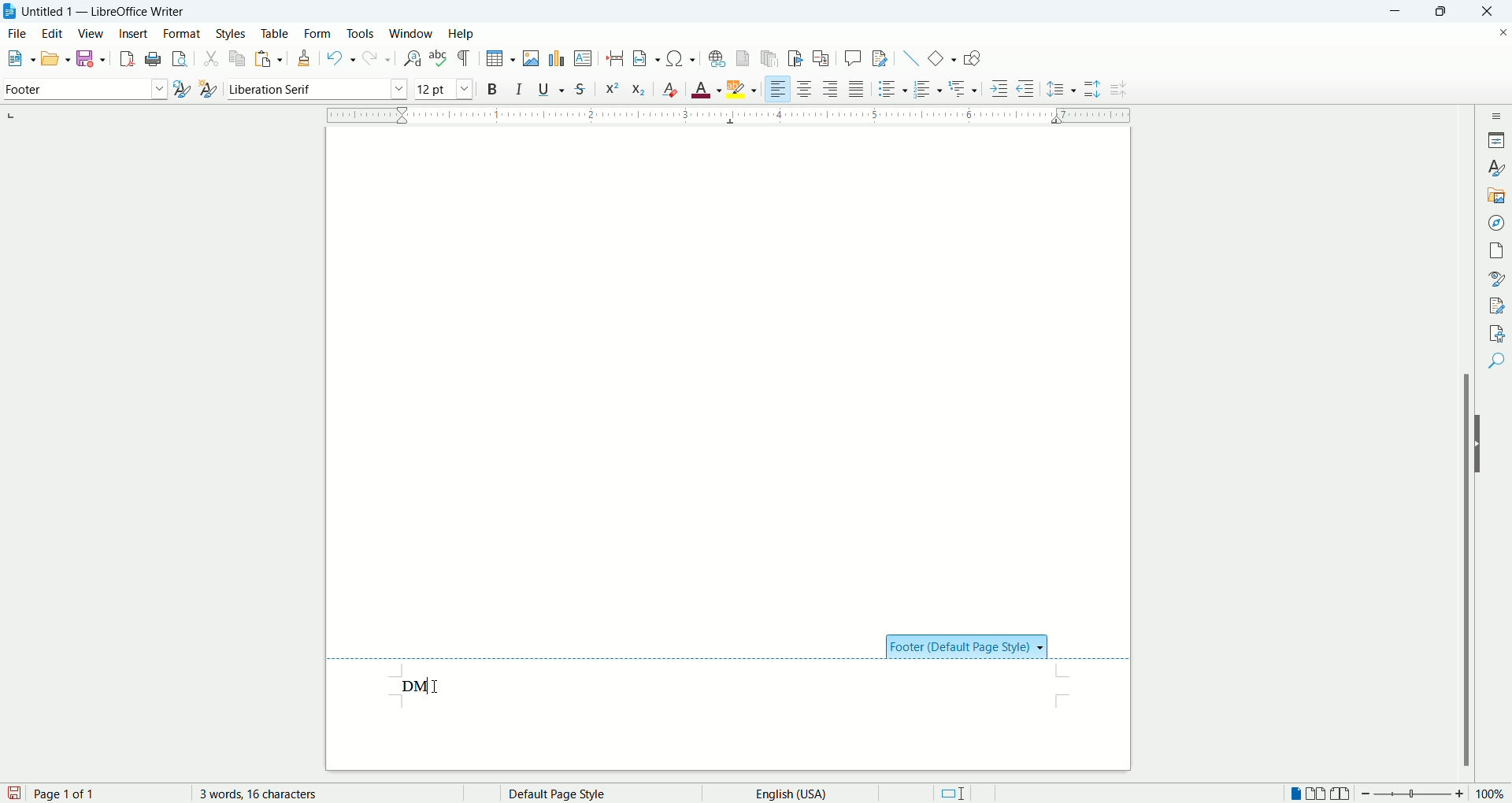 The width and height of the screenshot is (1512, 803). I want to click on redo, so click(375, 59).